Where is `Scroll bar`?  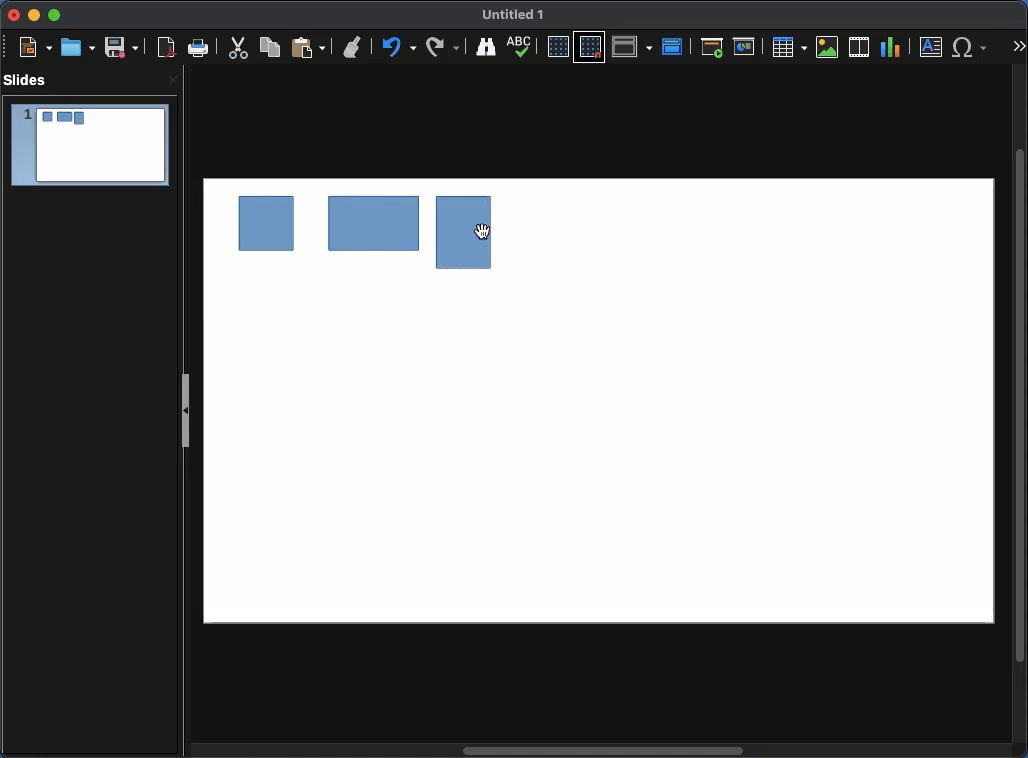
Scroll bar is located at coordinates (607, 750).